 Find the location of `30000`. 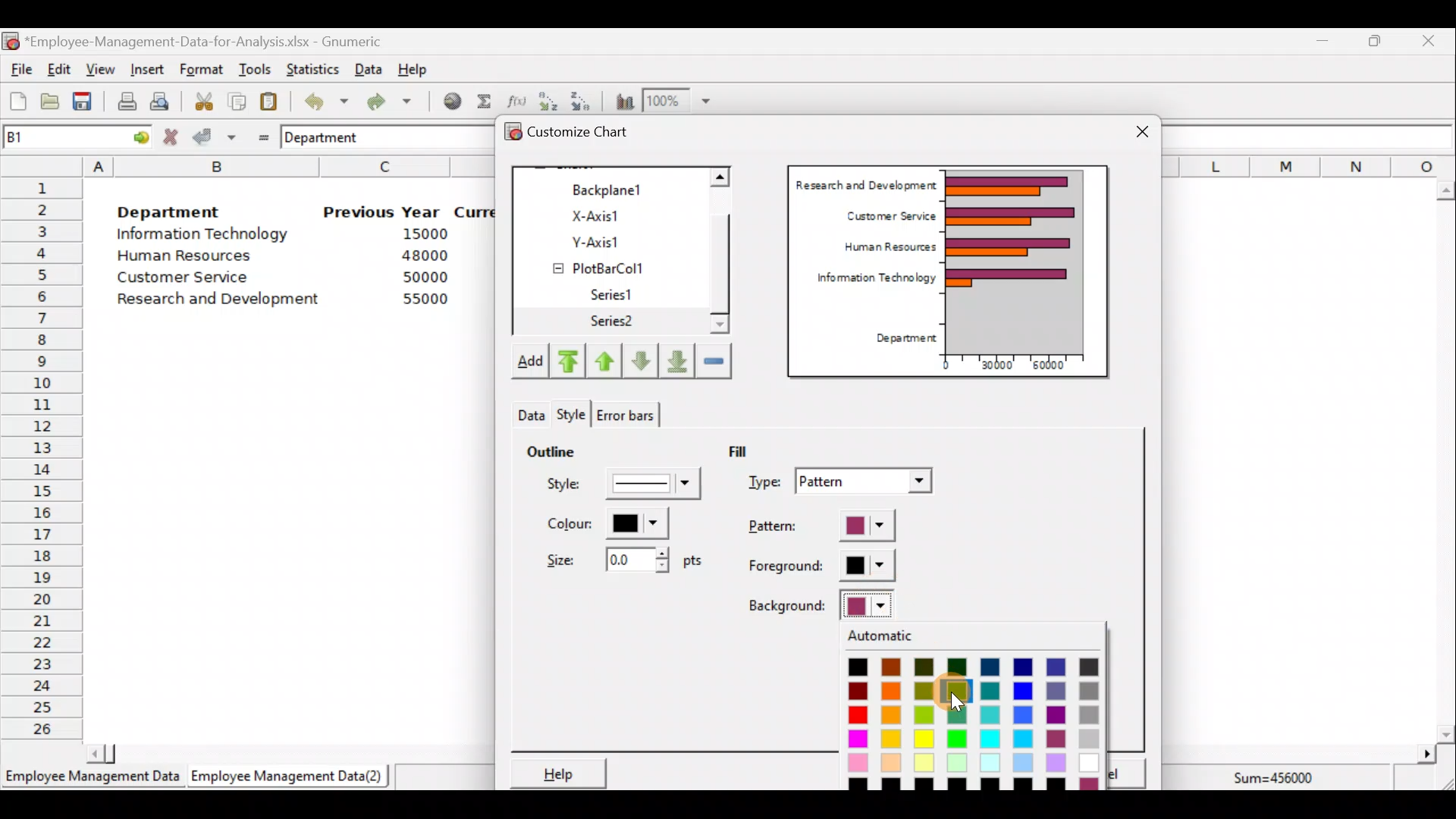

30000 is located at coordinates (996, 363).